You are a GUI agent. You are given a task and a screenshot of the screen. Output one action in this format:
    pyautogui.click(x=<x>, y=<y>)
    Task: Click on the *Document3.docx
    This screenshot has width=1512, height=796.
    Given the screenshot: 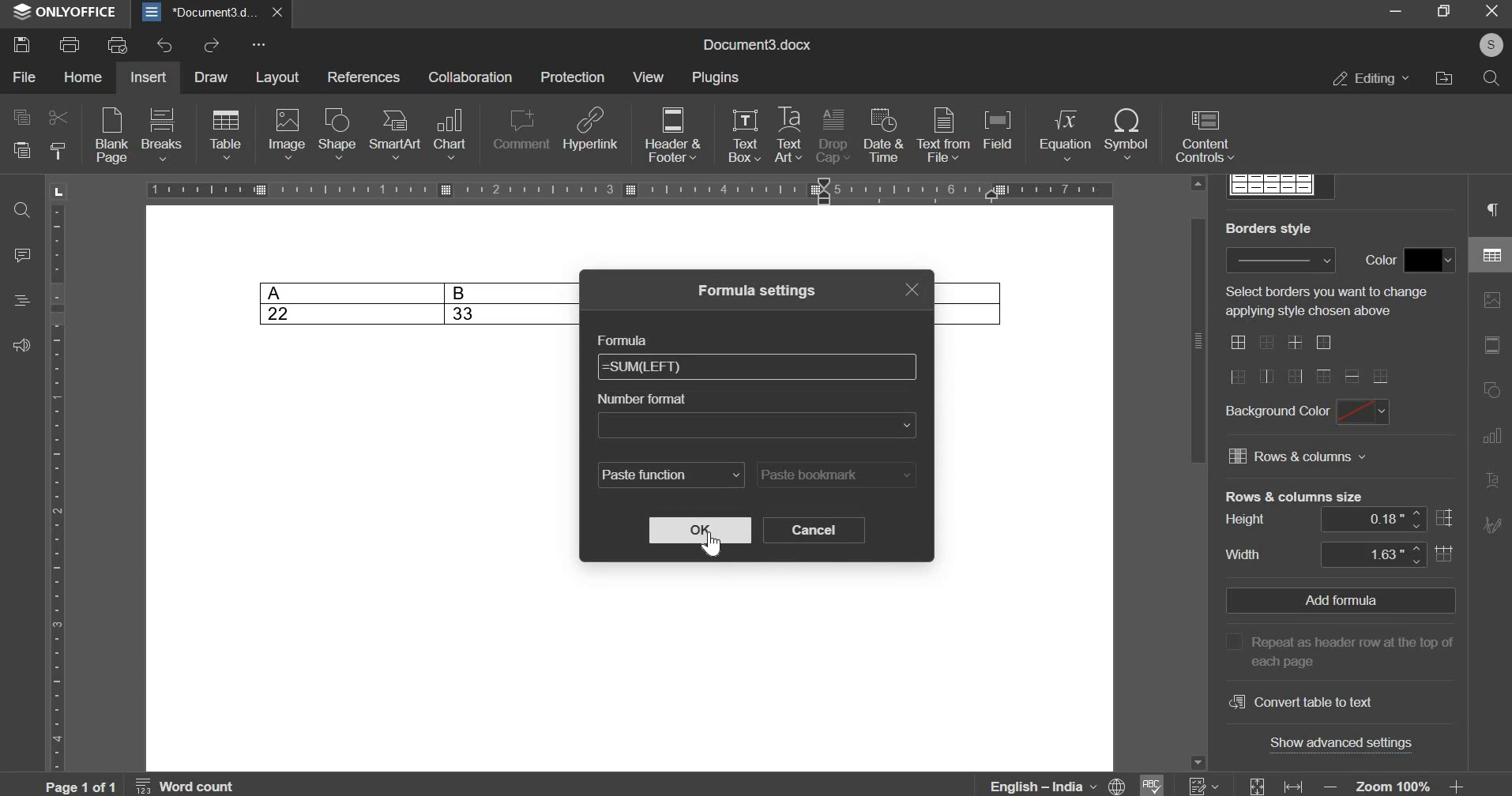 What is the action you would take?
    pyautogui.click(x=198, y=13)
    